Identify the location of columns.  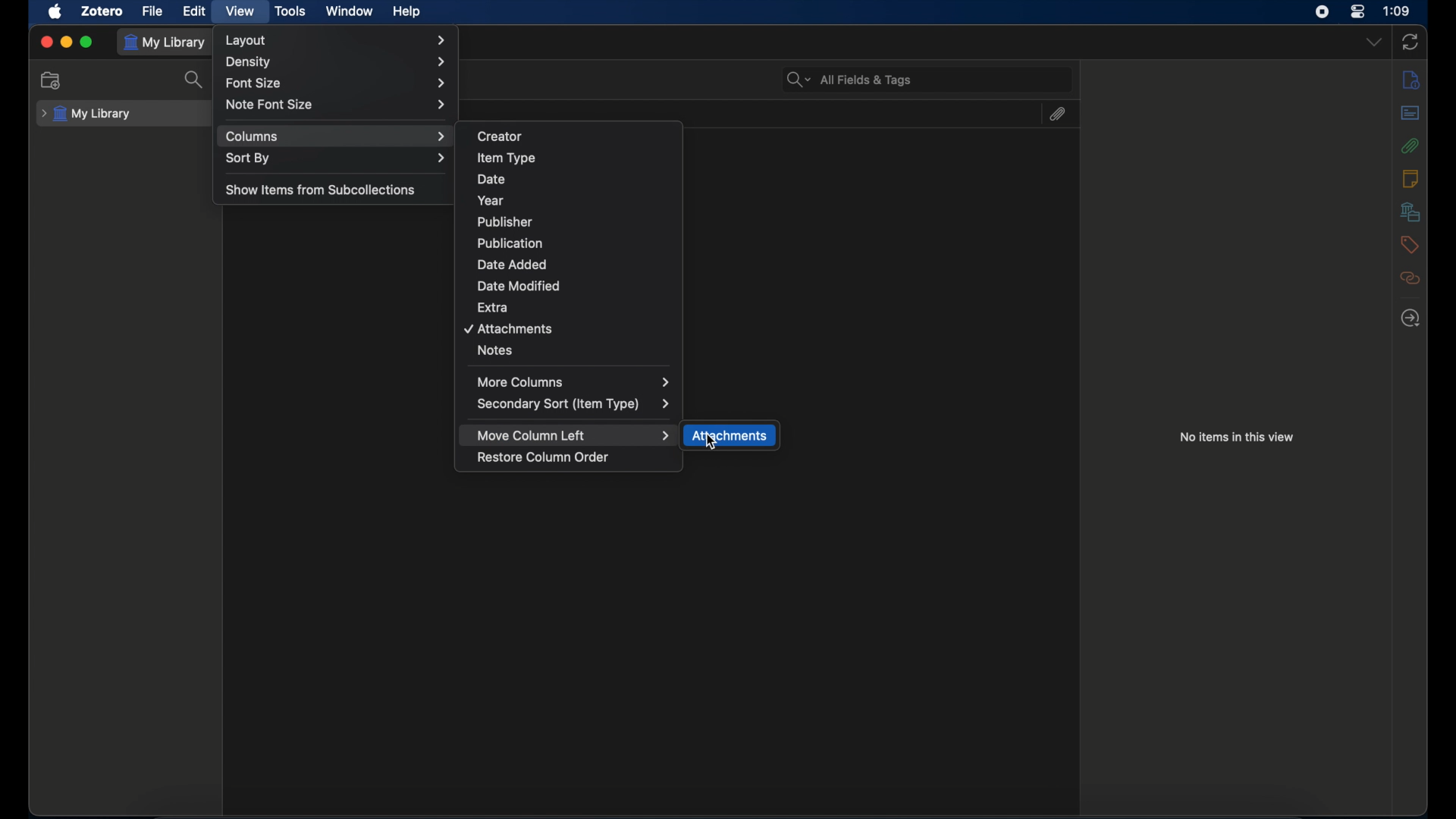
(336, 136).